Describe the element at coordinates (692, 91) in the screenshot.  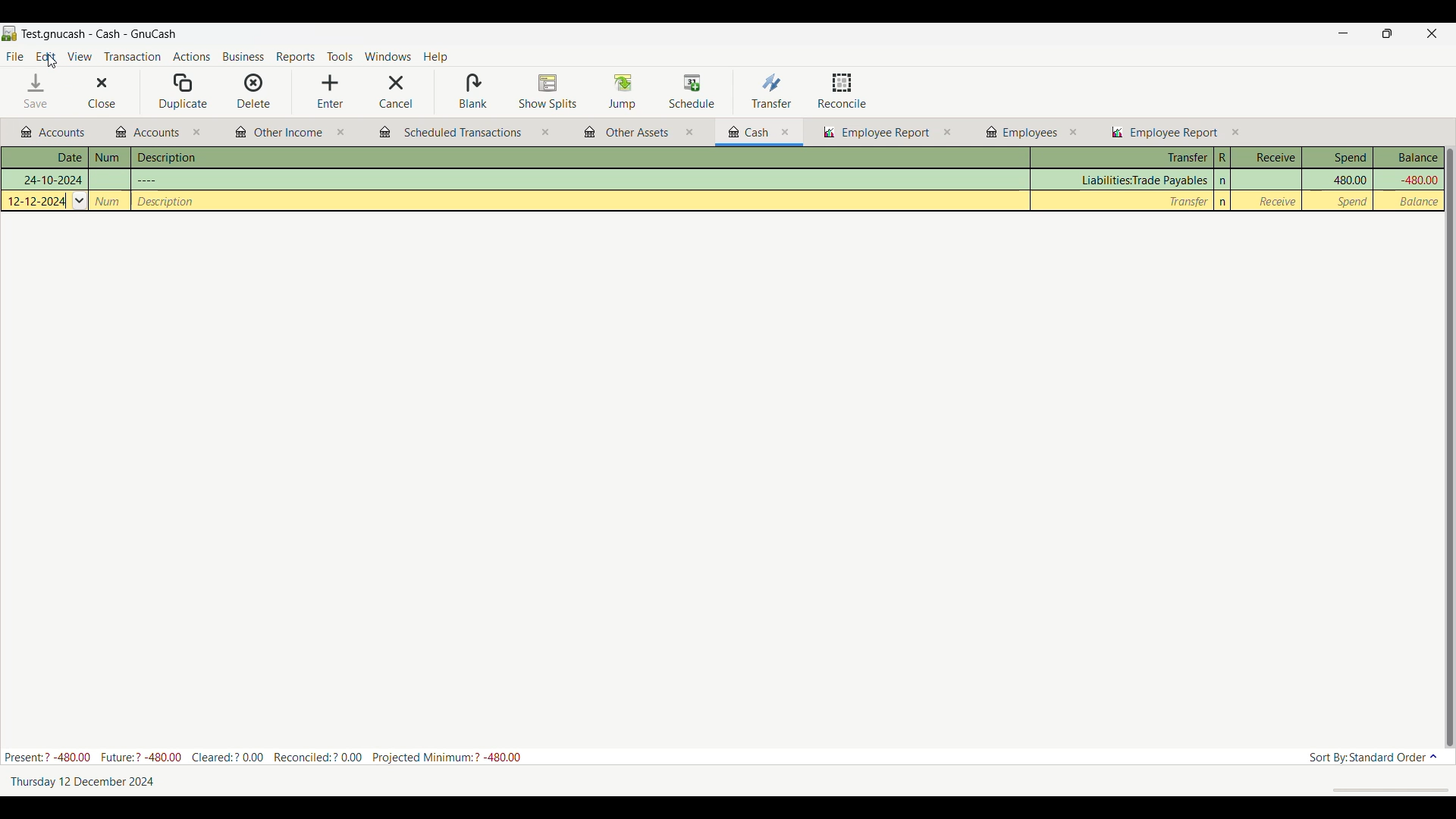
I see `Schedule` at that location.